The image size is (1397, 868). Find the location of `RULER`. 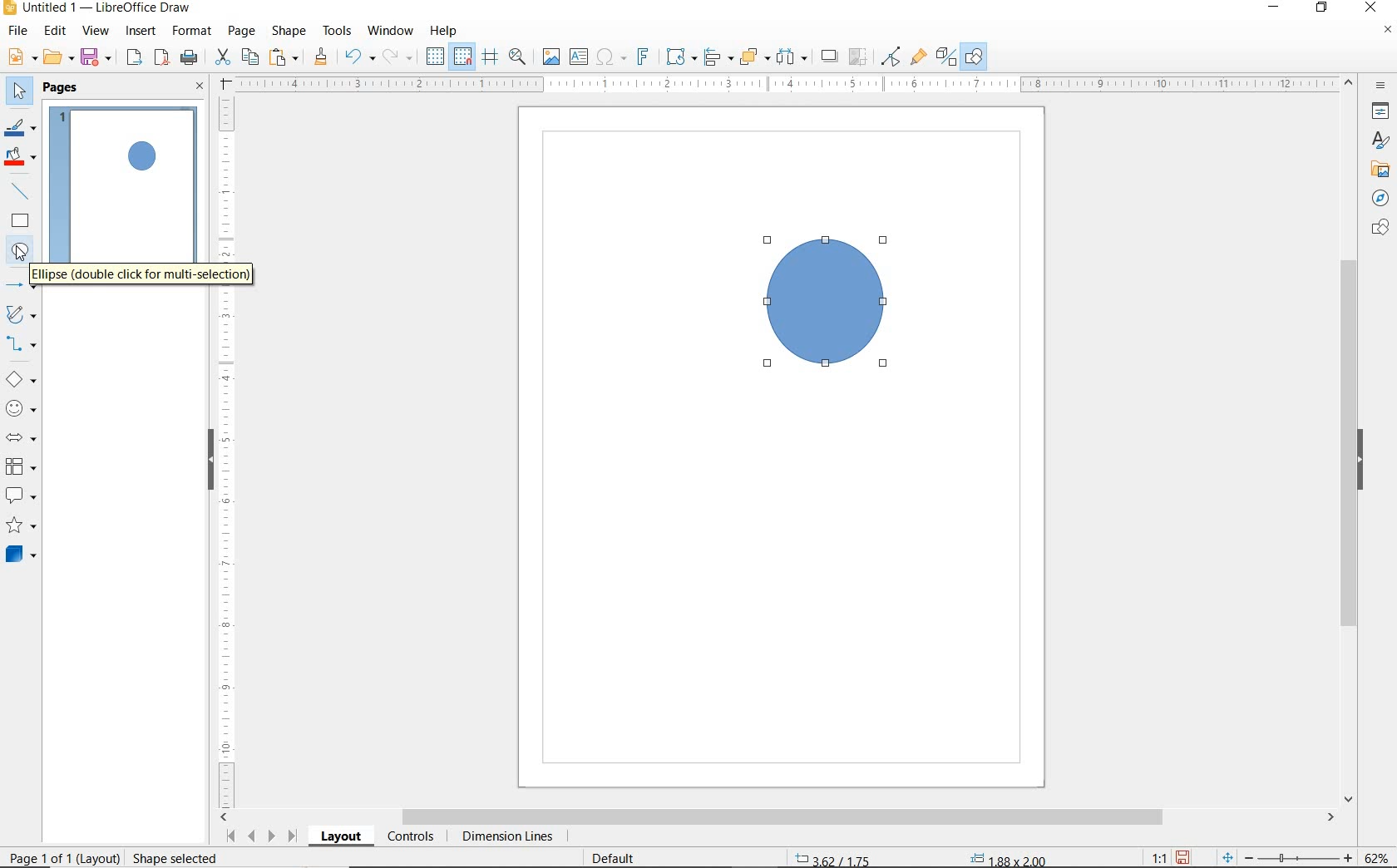

RULER is located at coordinates (228, 450).